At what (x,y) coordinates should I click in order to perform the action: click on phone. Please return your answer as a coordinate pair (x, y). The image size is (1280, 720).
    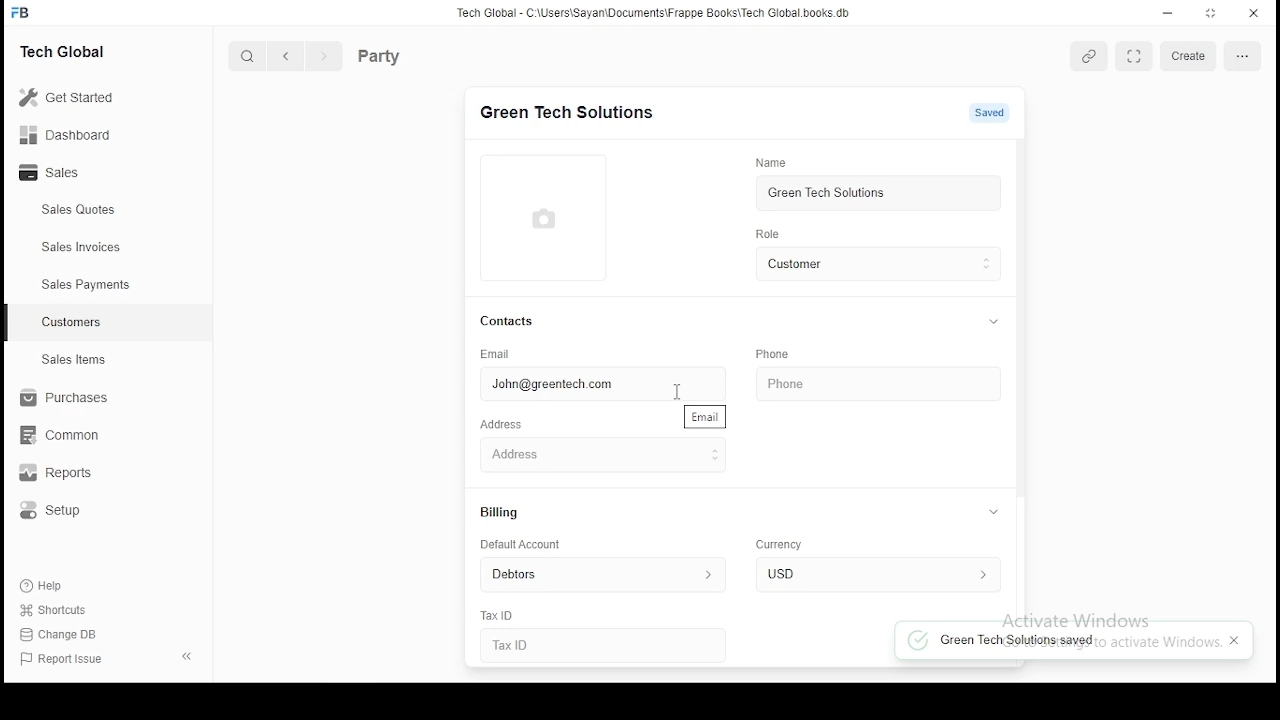
    Looking at the image, I should click on (772, 354).